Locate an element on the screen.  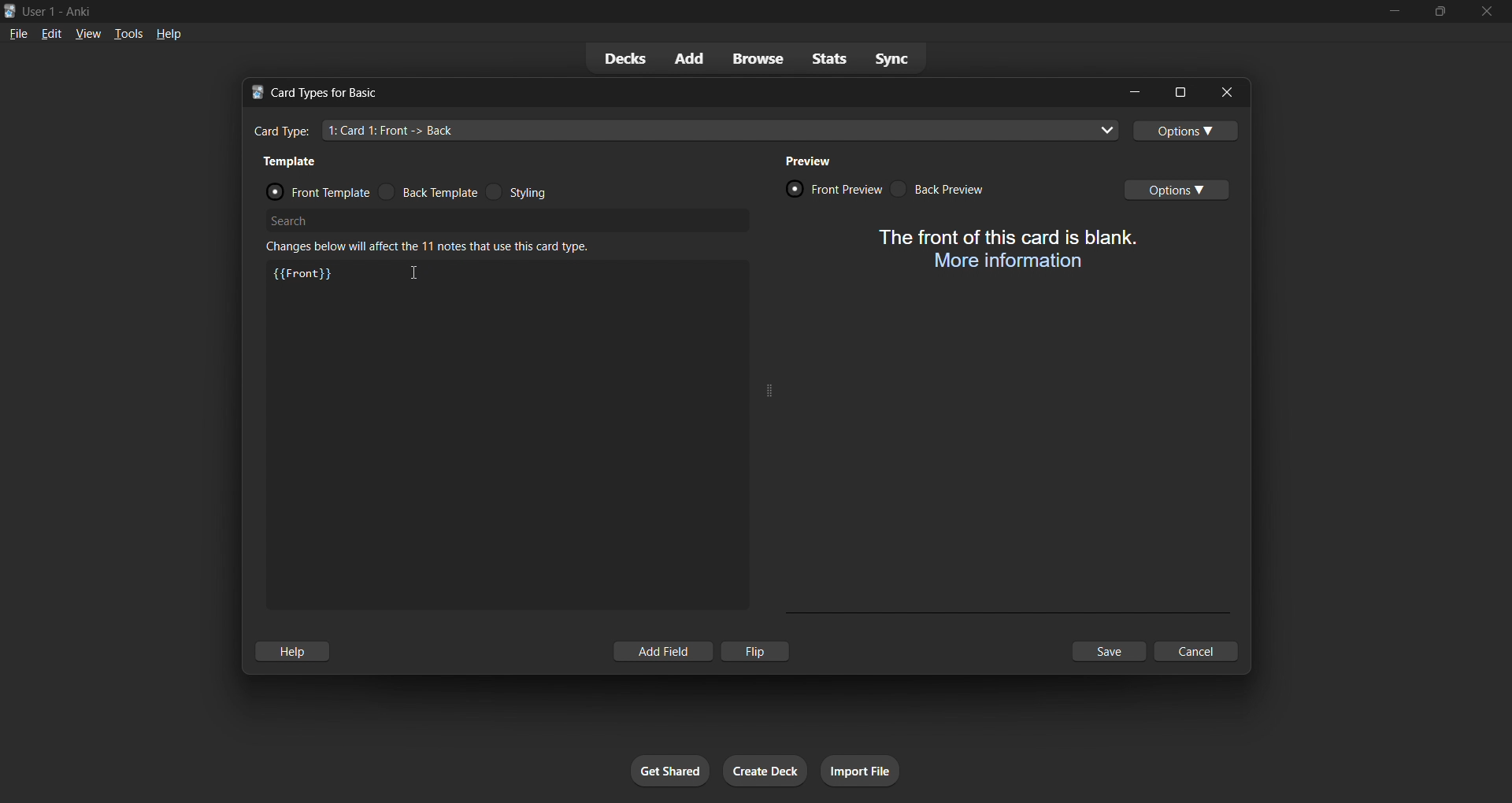
flip is located at coordinates (760, 649).